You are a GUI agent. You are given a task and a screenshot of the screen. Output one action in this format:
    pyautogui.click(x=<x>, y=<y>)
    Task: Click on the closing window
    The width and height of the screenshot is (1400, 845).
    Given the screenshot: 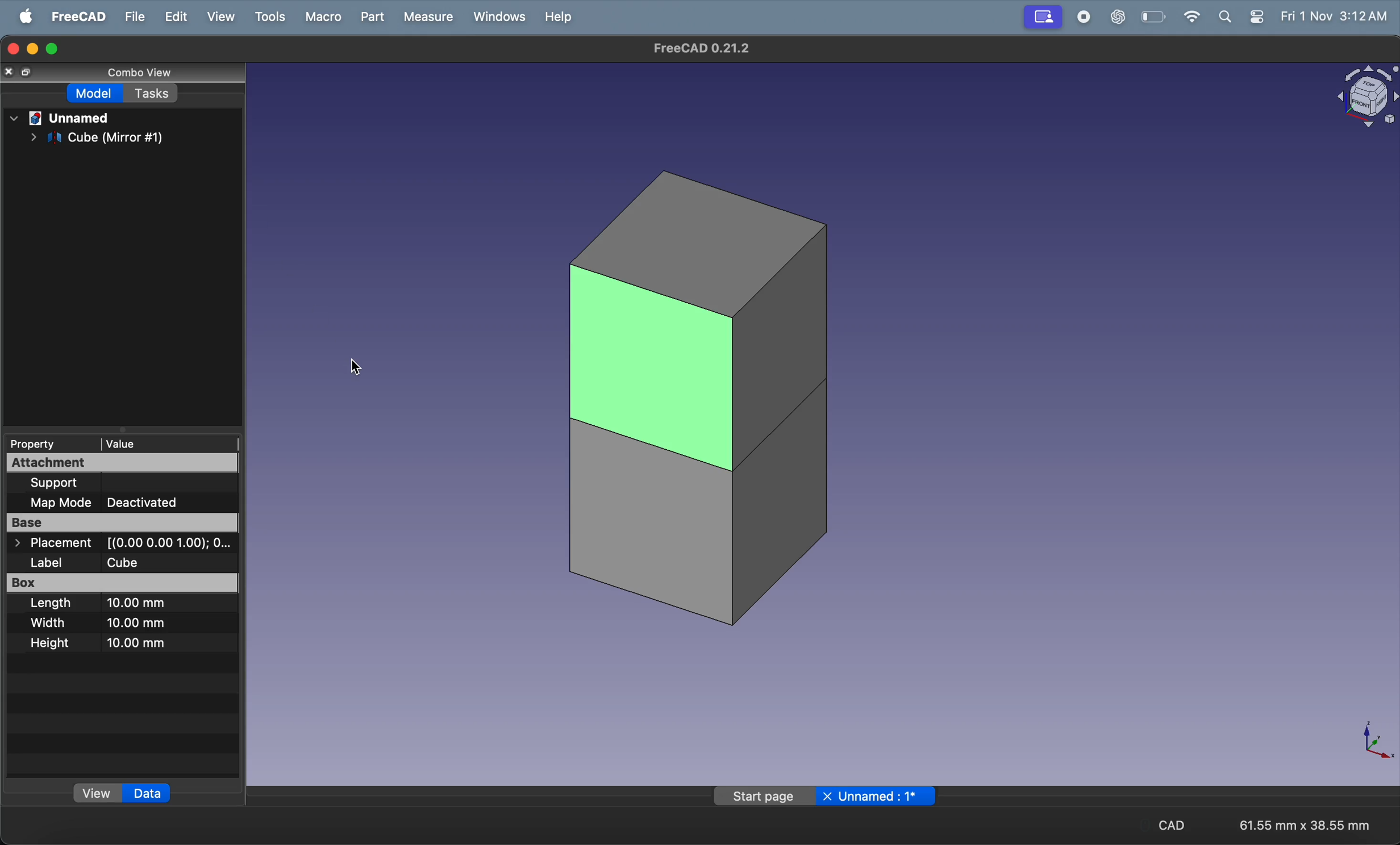 What is the action you would take?
    pyautogui.click(x=10, y=49)
    